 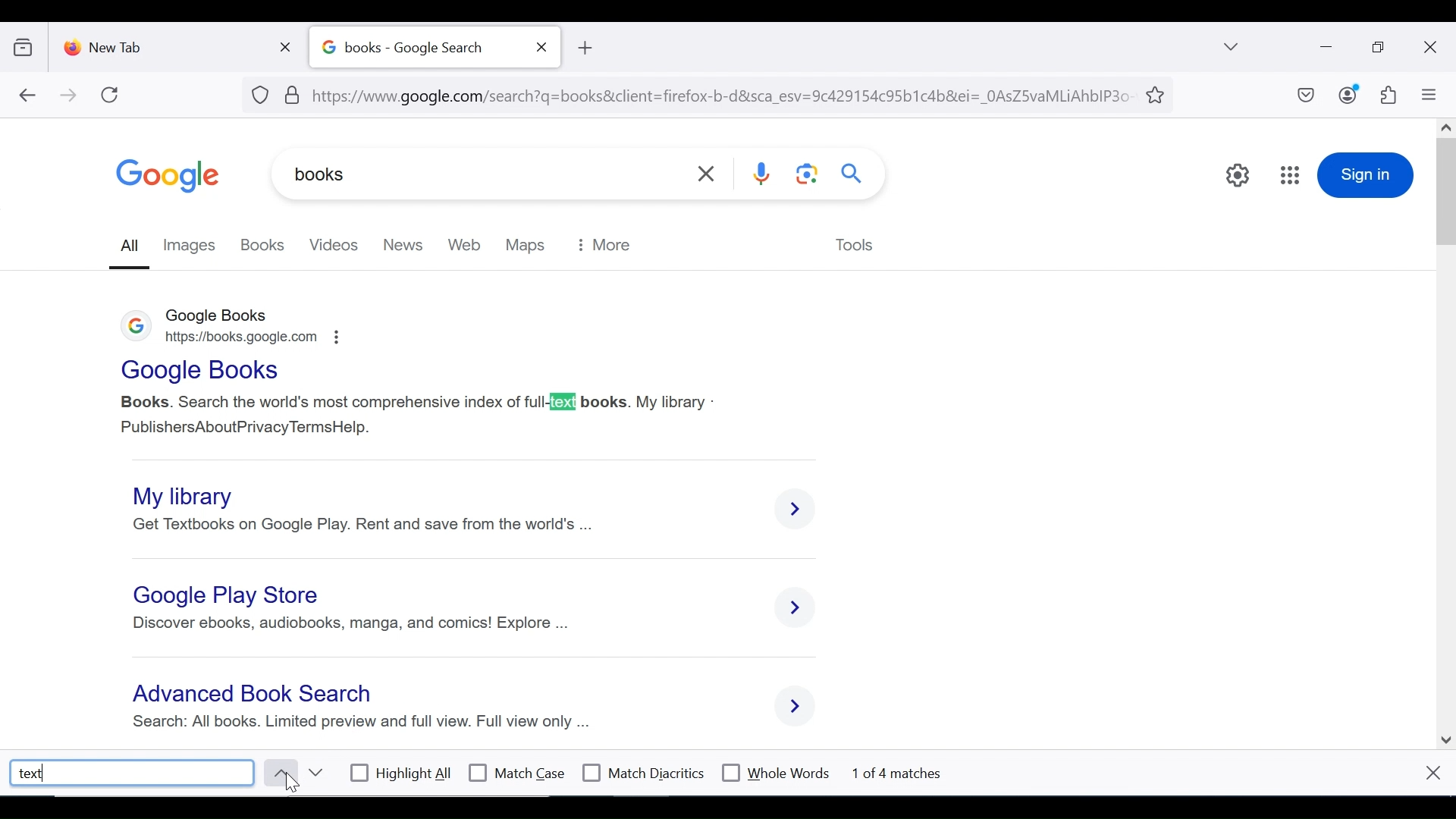 What do you see at coordinates (224, 313) in the screenshot?
I see `google books` at bounding box center [224, 313].